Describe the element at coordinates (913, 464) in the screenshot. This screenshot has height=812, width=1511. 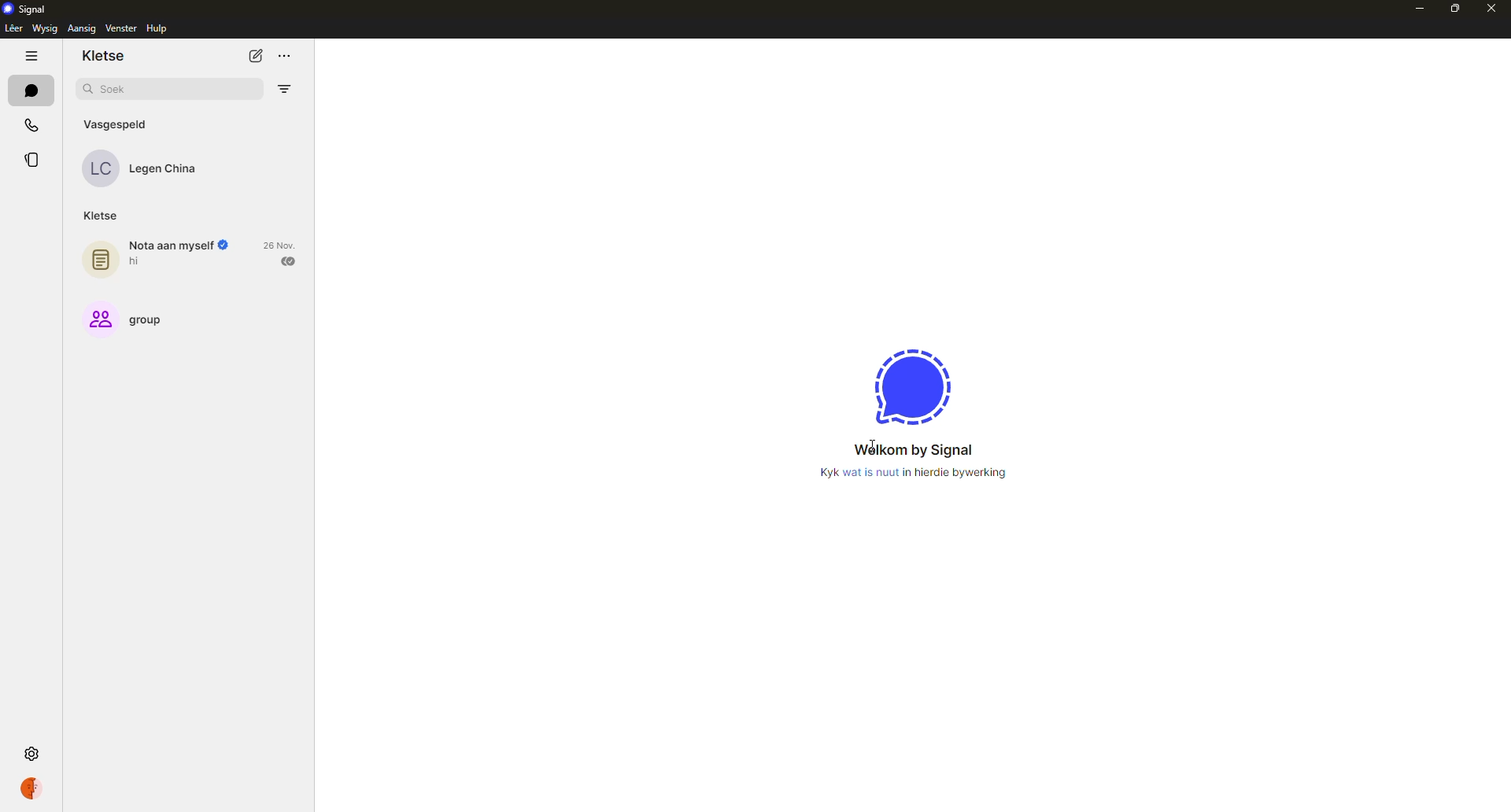
I see `language changed to afrikaans` at that location.